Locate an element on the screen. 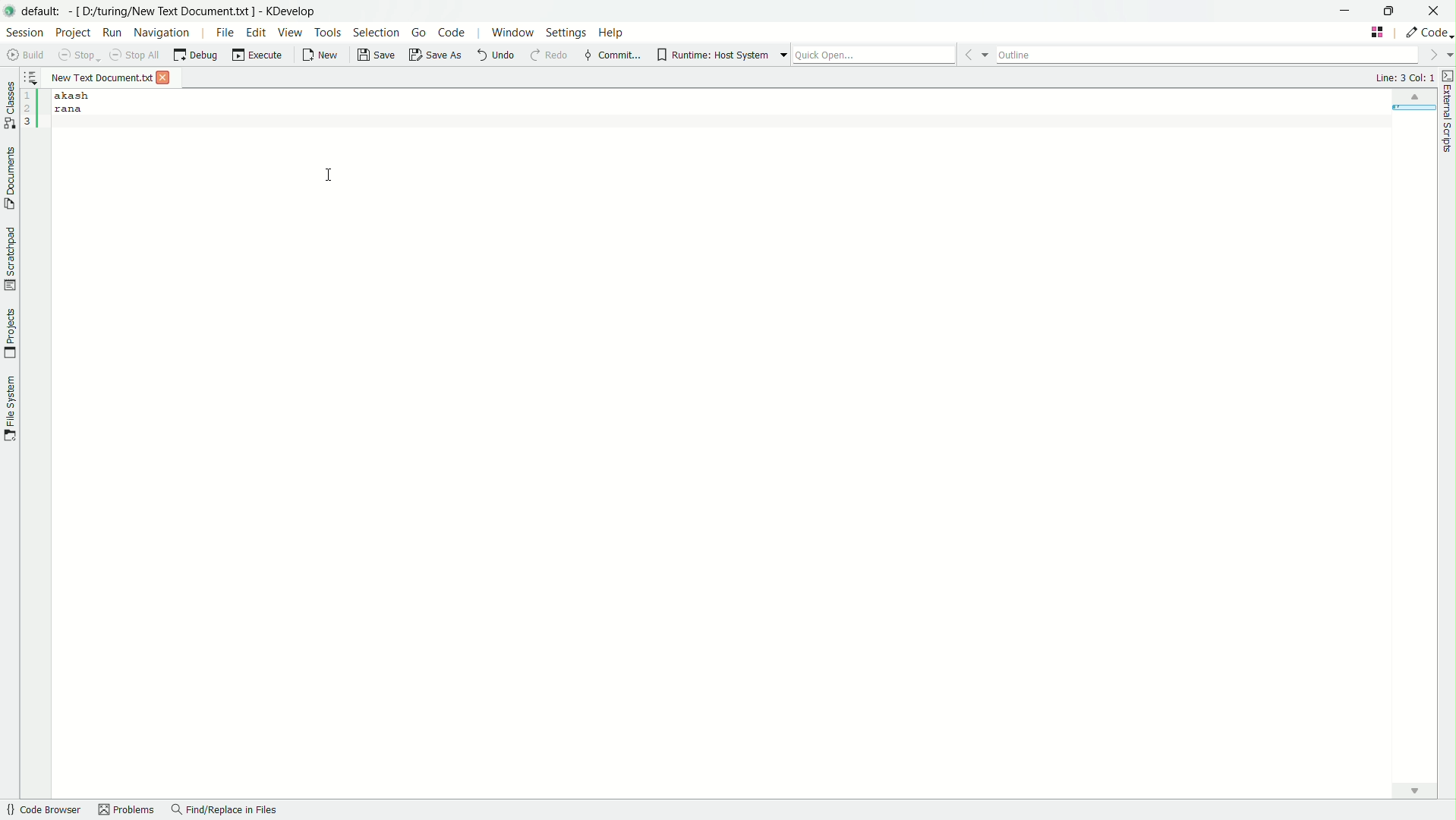 The height and width of the screenshot is (820, 1456). new text document is located at coordinates (100, 76).